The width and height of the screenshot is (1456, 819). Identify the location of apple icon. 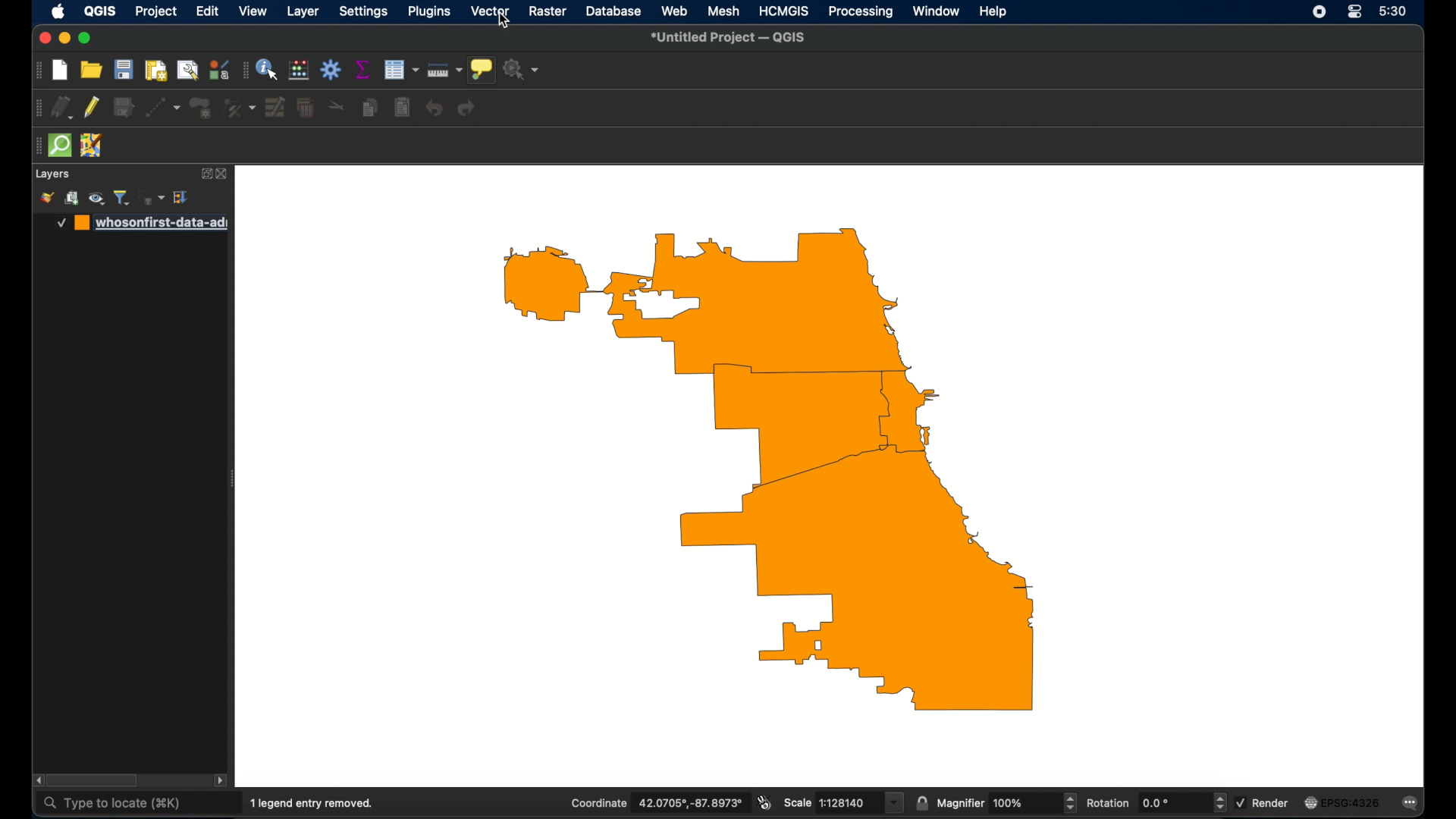
(58, 11).